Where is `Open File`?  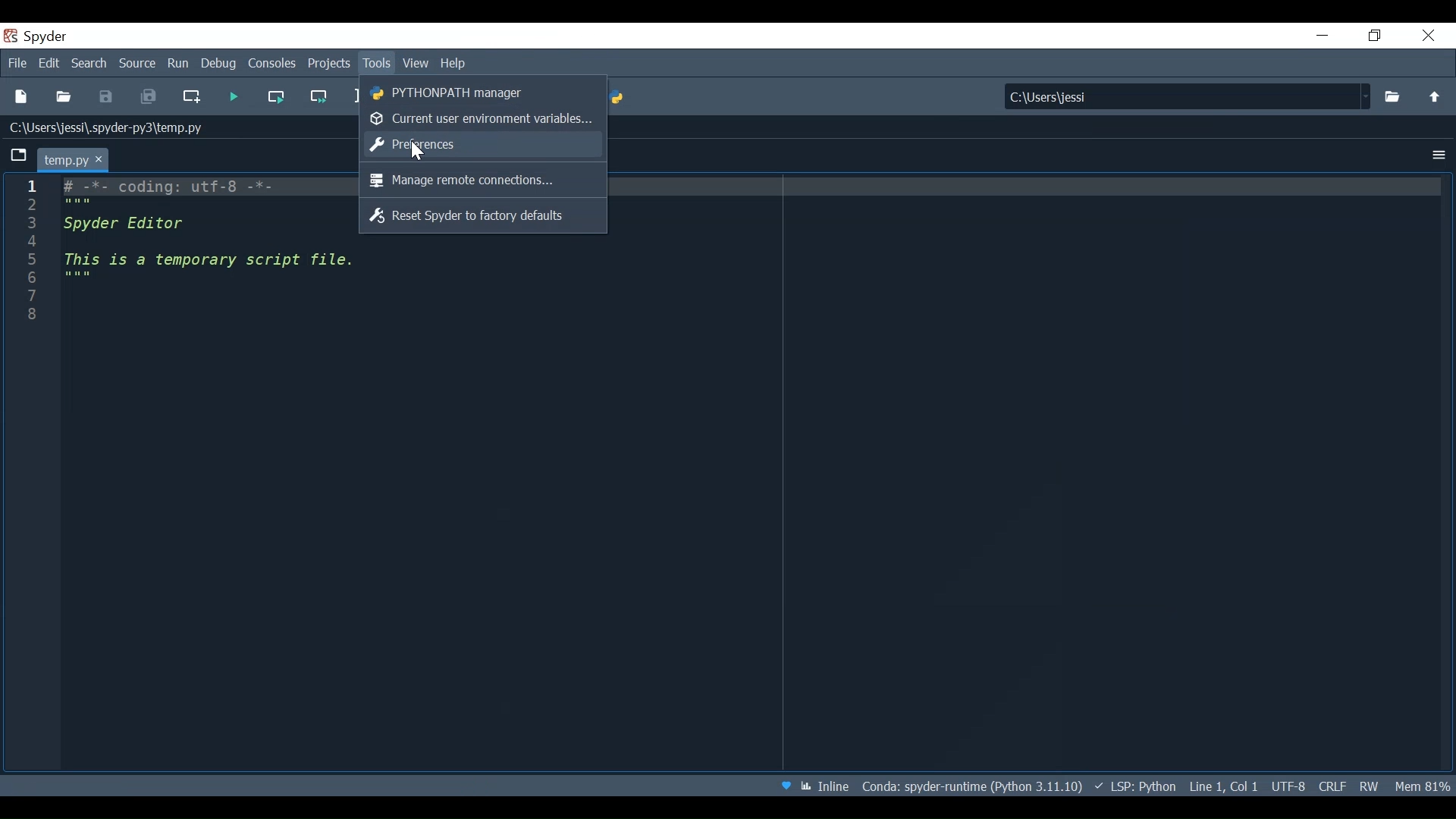 Open File is located at coordinates (62, 99).